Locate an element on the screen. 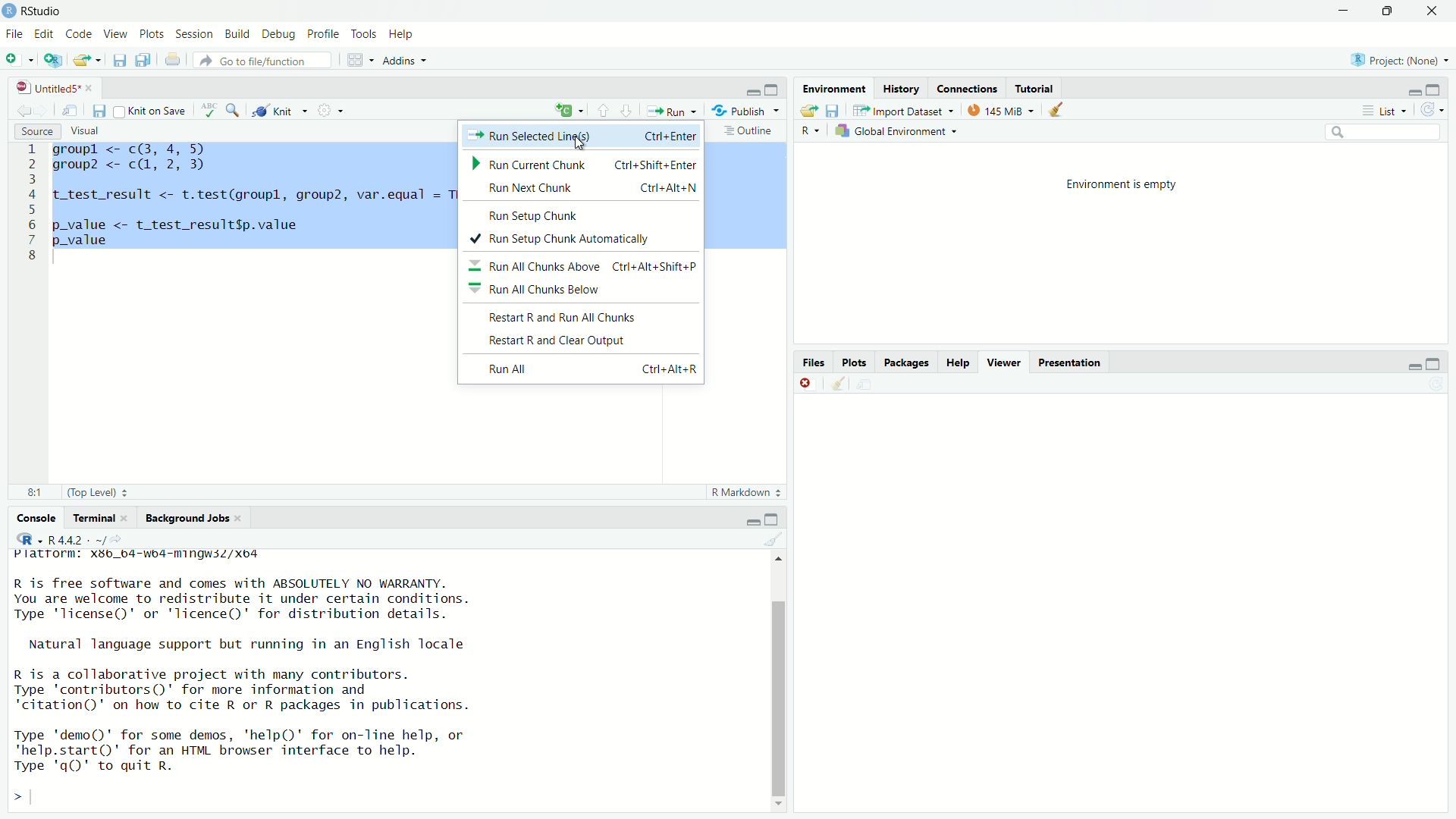 This screenshot has width=1456, height=819. RStudio Logo is located at coordinates (11, 11).